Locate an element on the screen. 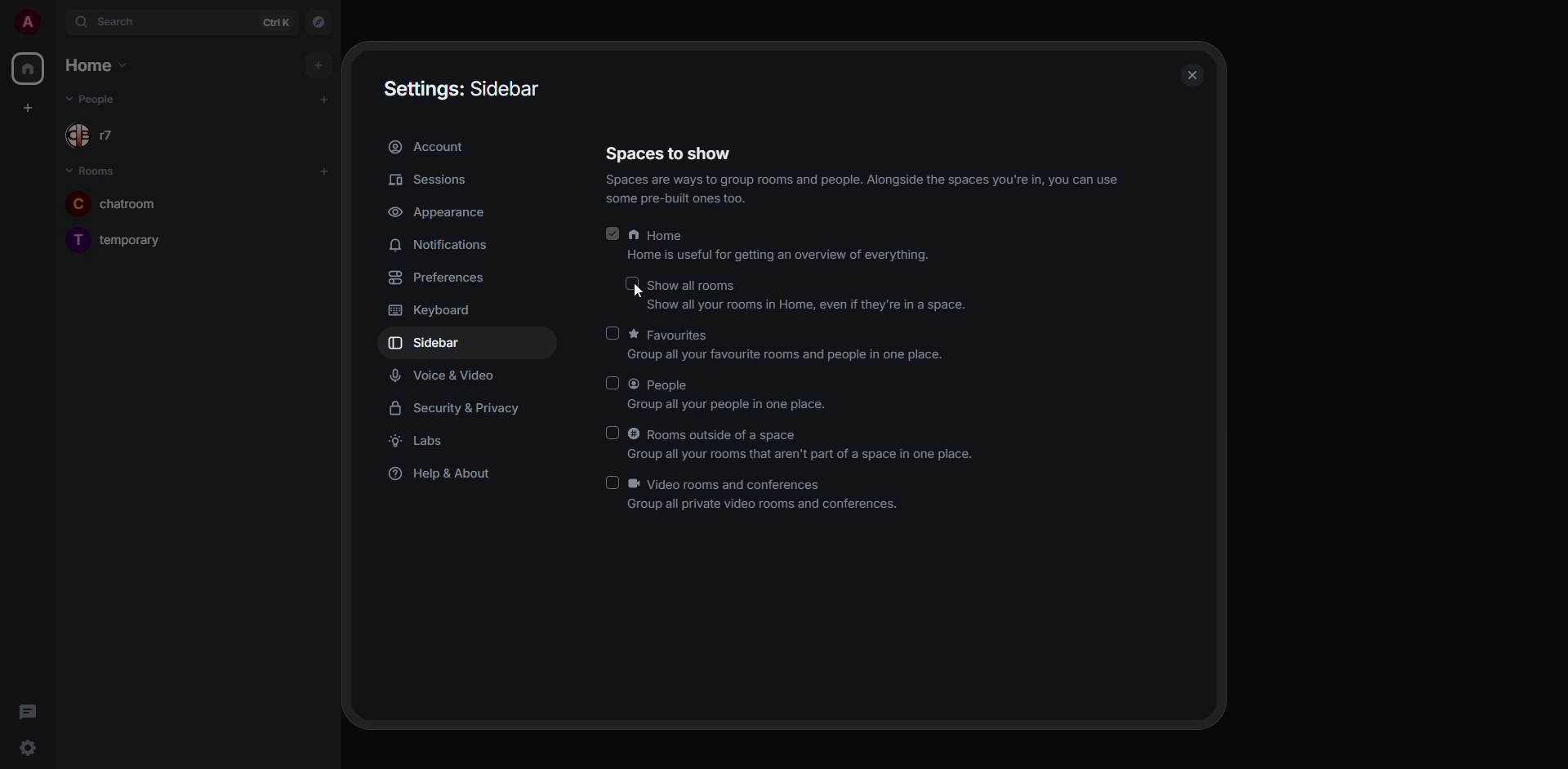 The image size is (1568, 769). Spaces are ways to group rooms and people. Alongside the spaces you're in, you can use
some pre-built ones too. is located at coordinates (863, 193).